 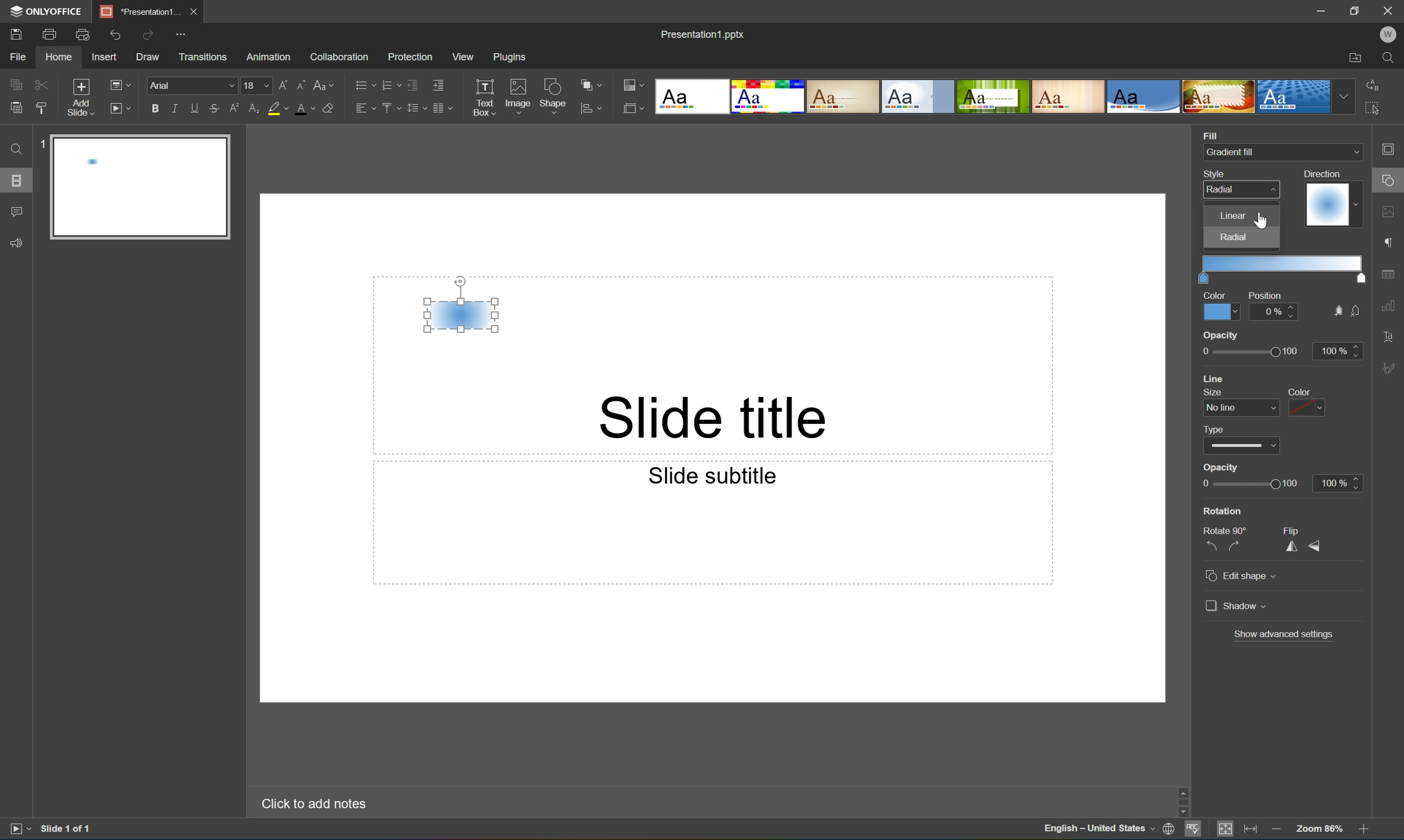 What do you see at coordinates (701, 32) in the screenshot?
I see `Presentation1.pptx` at bounding box center [701, 32].